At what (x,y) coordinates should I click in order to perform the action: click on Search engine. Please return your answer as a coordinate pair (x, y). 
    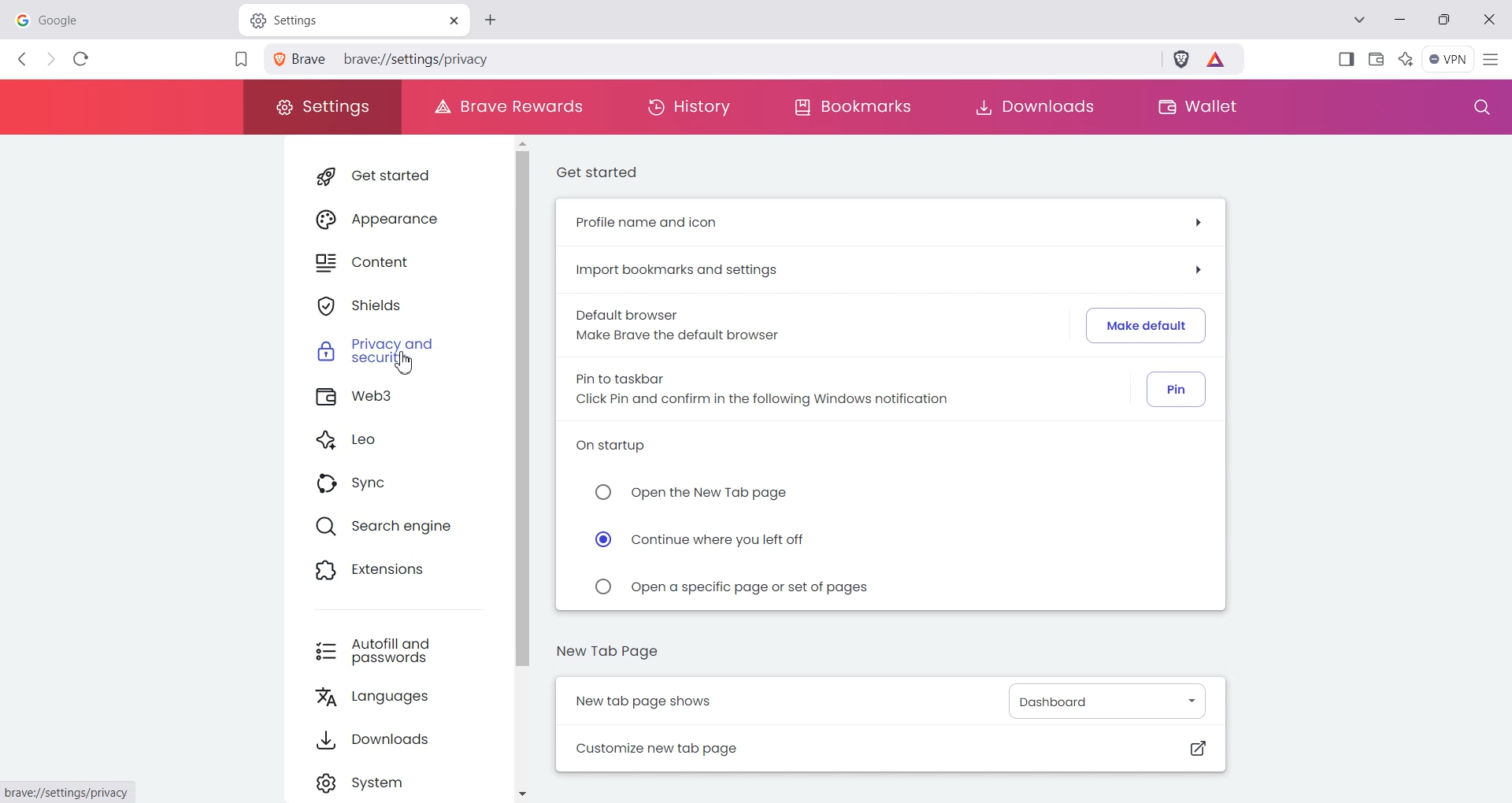
    Looking at the image, I should click on (388, 528).